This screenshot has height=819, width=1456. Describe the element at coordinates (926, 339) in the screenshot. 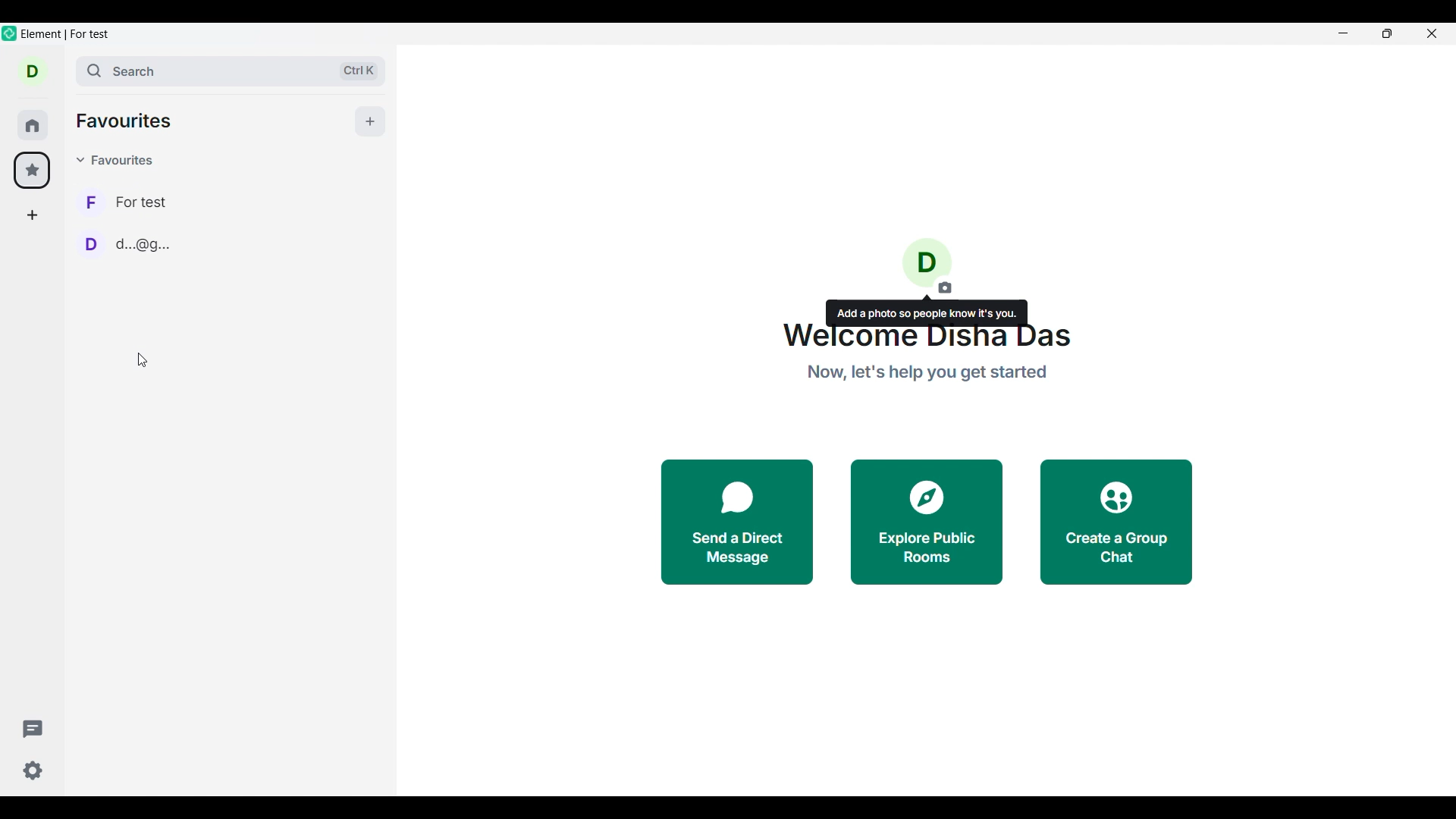

I see `welcome disha das` at that location.